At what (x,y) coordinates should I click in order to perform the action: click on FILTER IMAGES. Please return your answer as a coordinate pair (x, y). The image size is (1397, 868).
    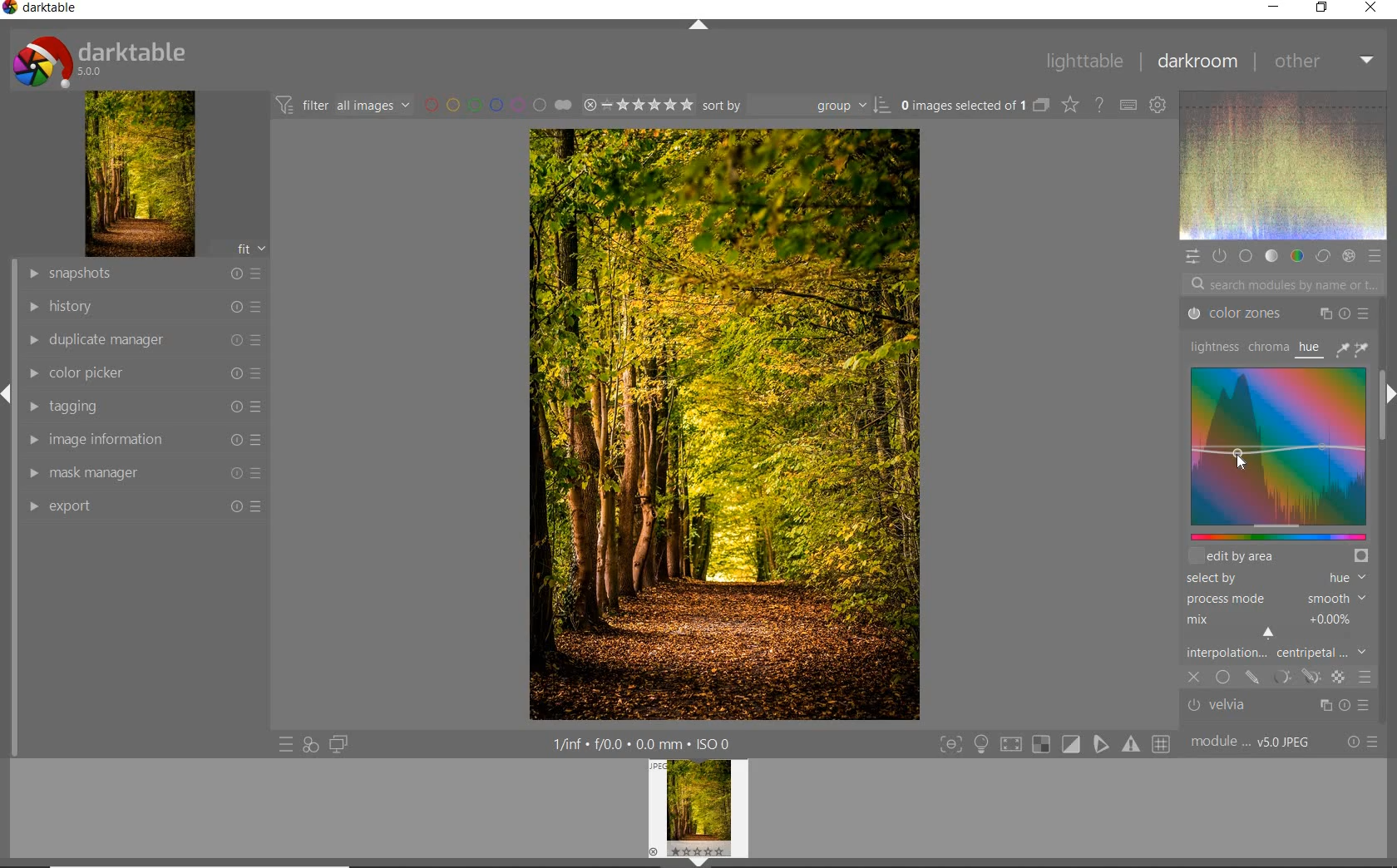
    Looking at the image, I should click on (343, 105).